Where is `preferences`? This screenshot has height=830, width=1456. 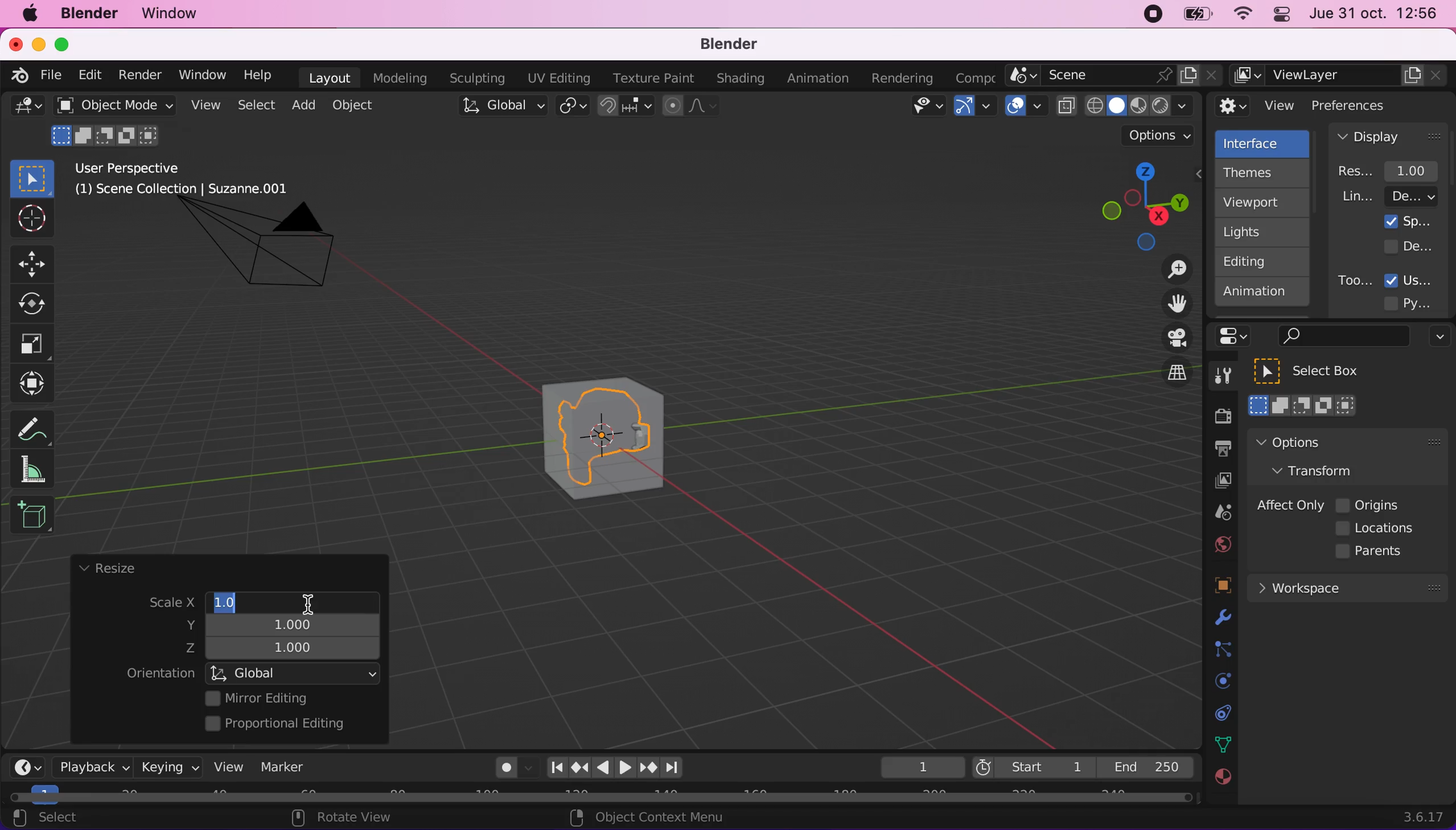
preferences is located at coordinates (1368, 105).